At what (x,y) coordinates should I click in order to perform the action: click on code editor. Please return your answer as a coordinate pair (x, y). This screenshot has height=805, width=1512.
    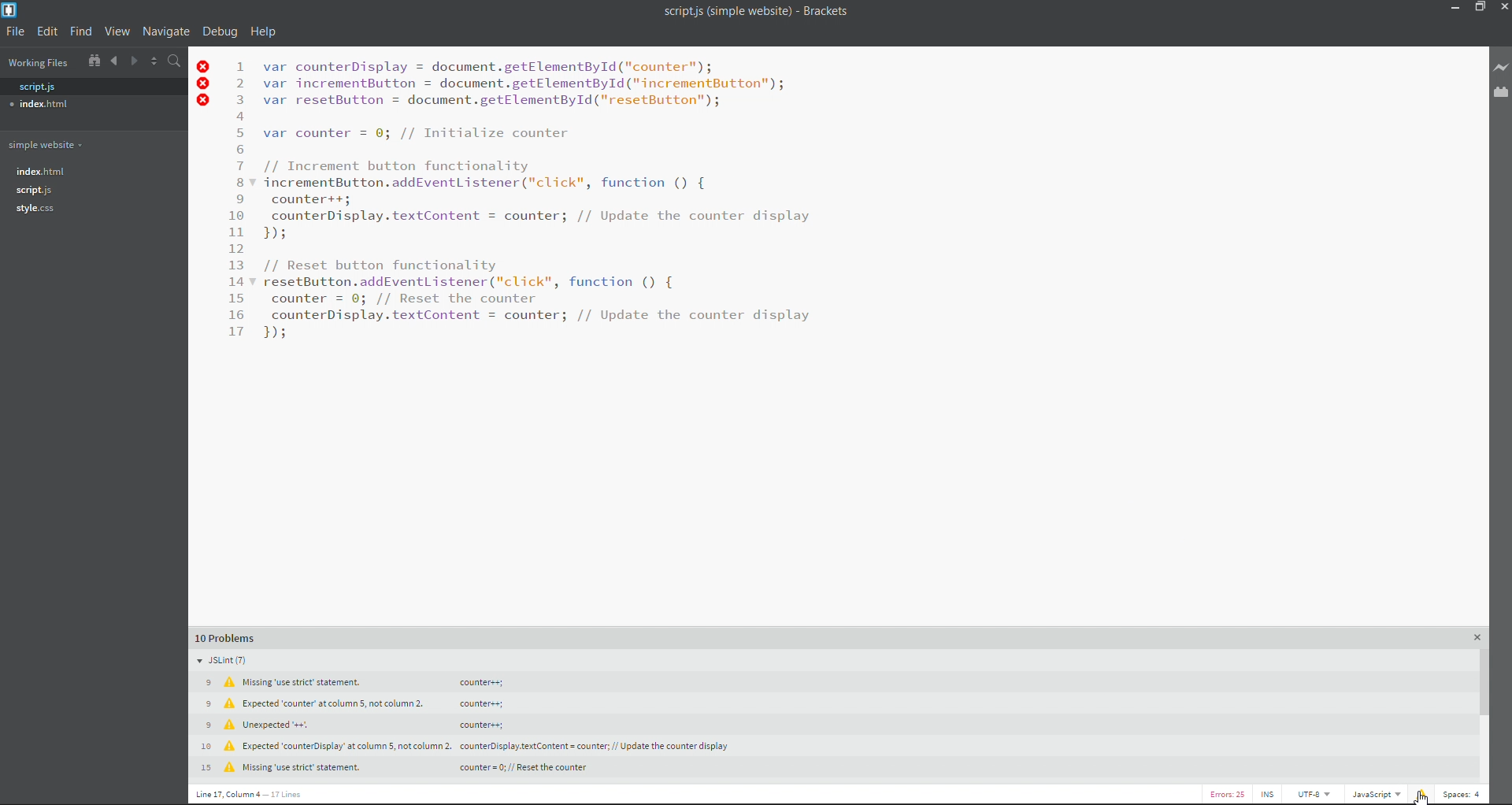
    Looking at the image, I should click on (542, 201).